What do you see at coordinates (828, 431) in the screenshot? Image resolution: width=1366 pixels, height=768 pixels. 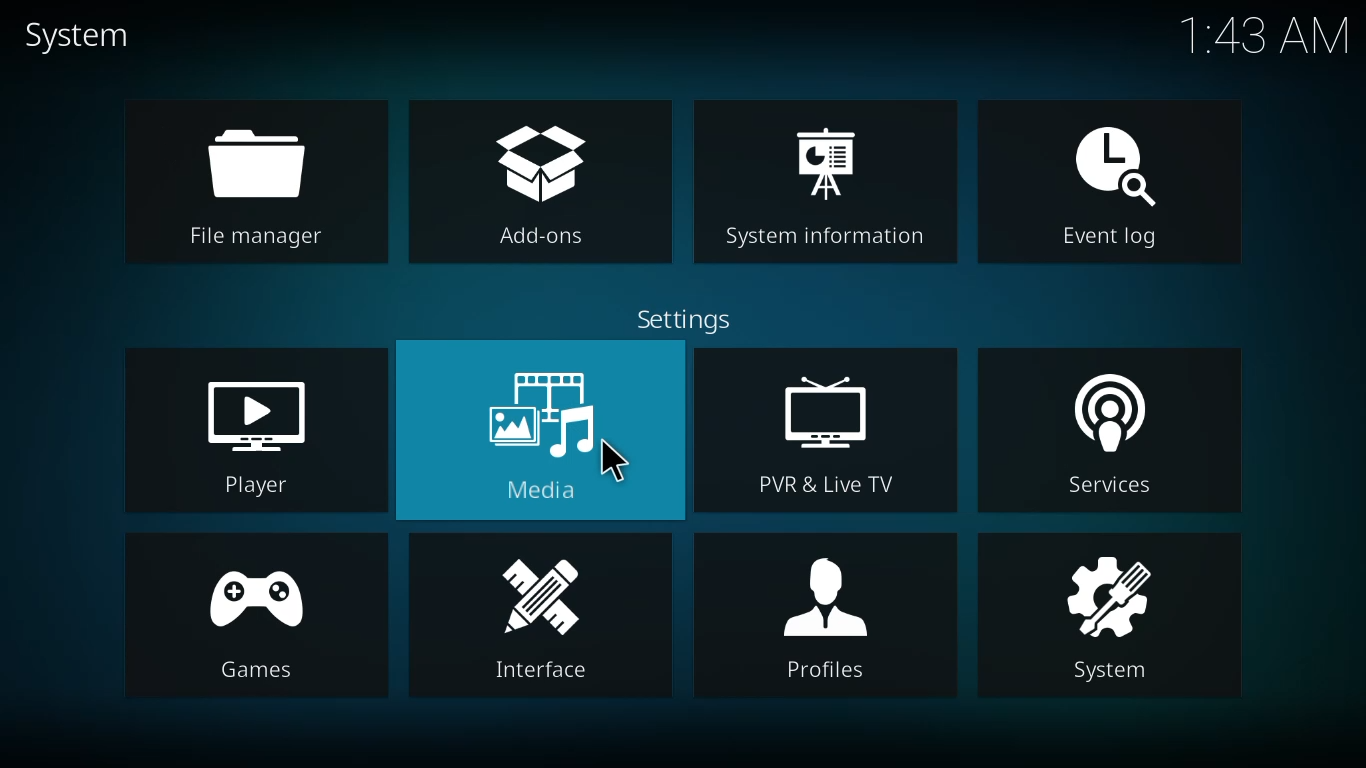 I see `pvr & live tv` at bounding box center [828, 431].